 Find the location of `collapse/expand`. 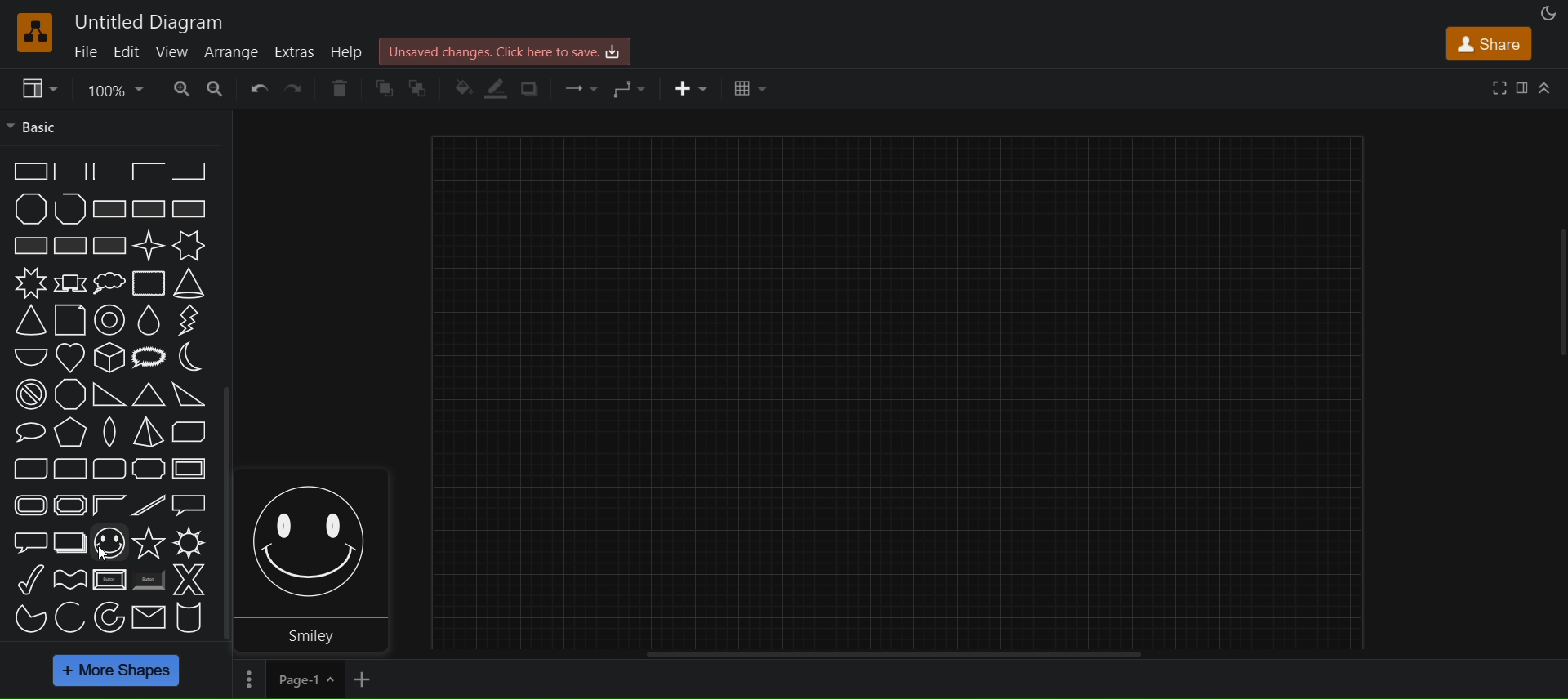

collapse/expand is located at coordinates (1547, 87).